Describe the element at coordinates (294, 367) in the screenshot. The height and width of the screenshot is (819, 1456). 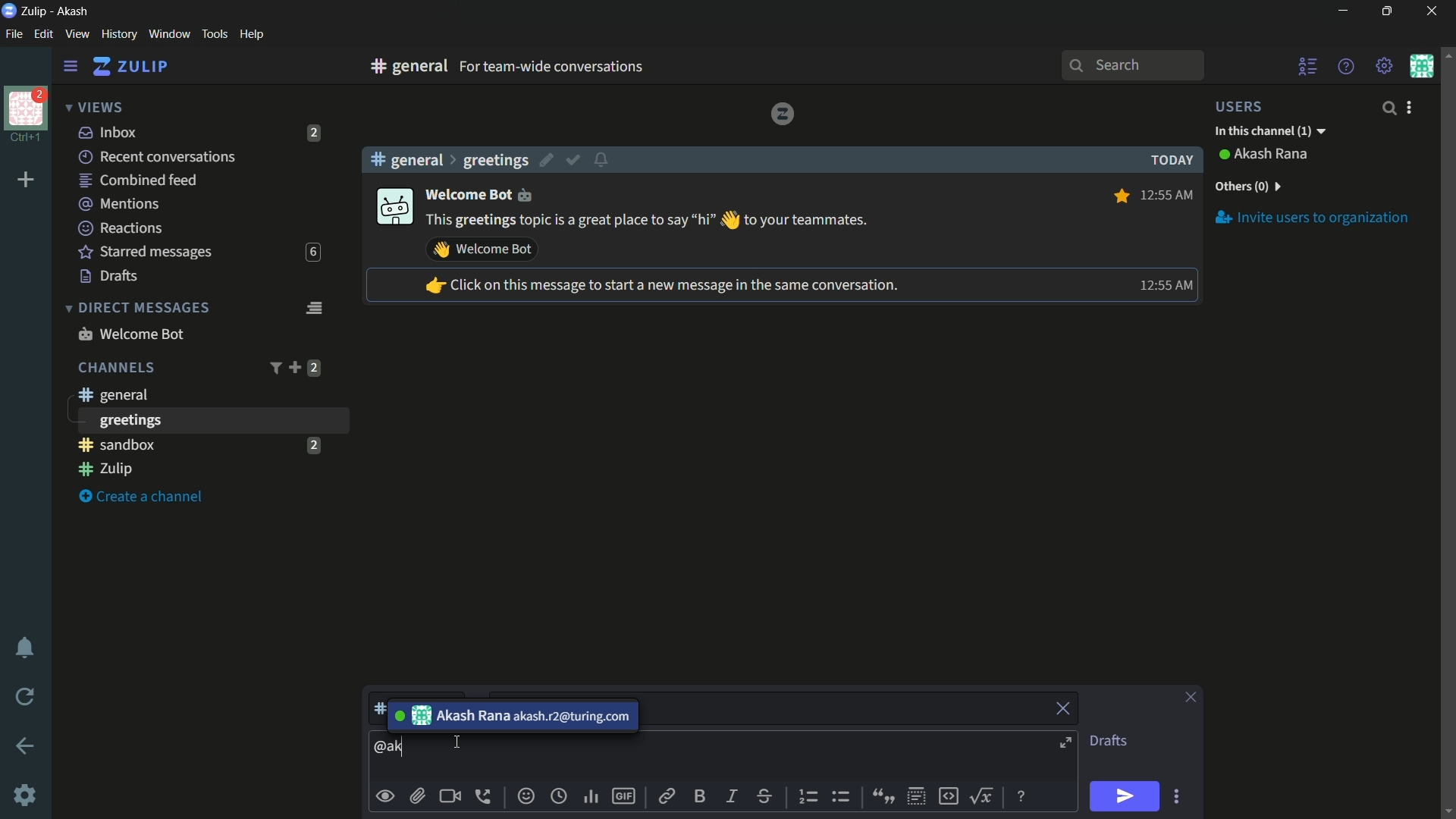
I see `add channel` at that location.